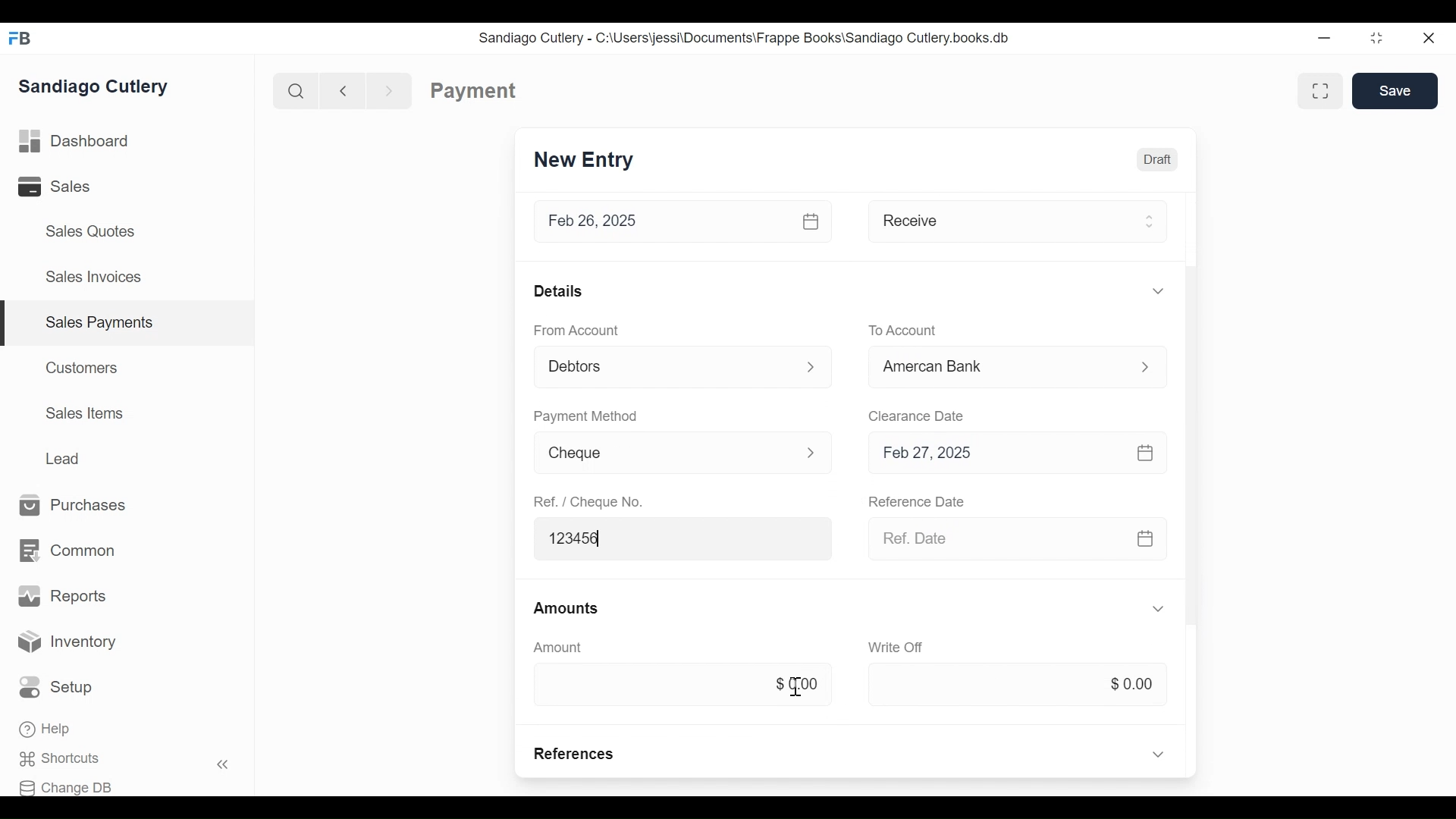 The width and height of the screenshot is (1456, 819). Describe the element at coordinates (390, 89) in the screenshot. I see `Navigate forward` at that location.